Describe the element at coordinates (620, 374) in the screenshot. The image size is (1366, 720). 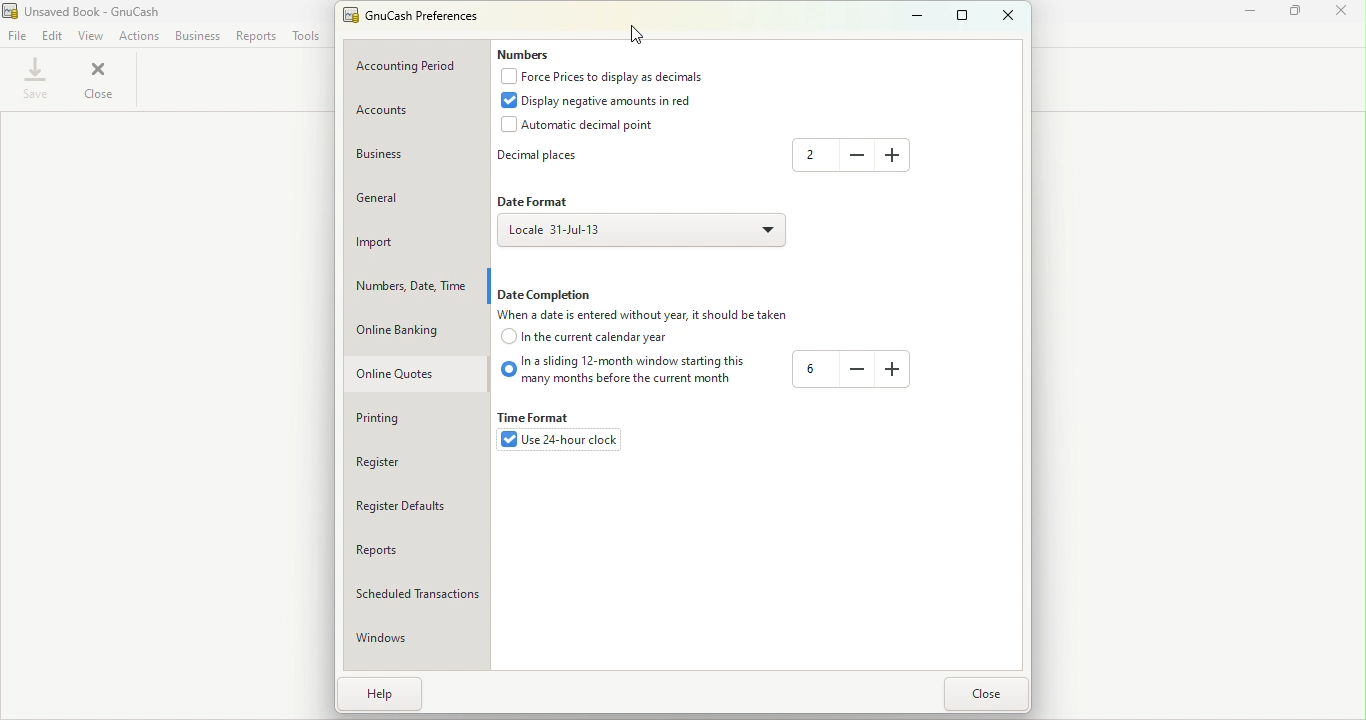
I see `In a sliding 12-month window starting this many months before the current month` at that location.